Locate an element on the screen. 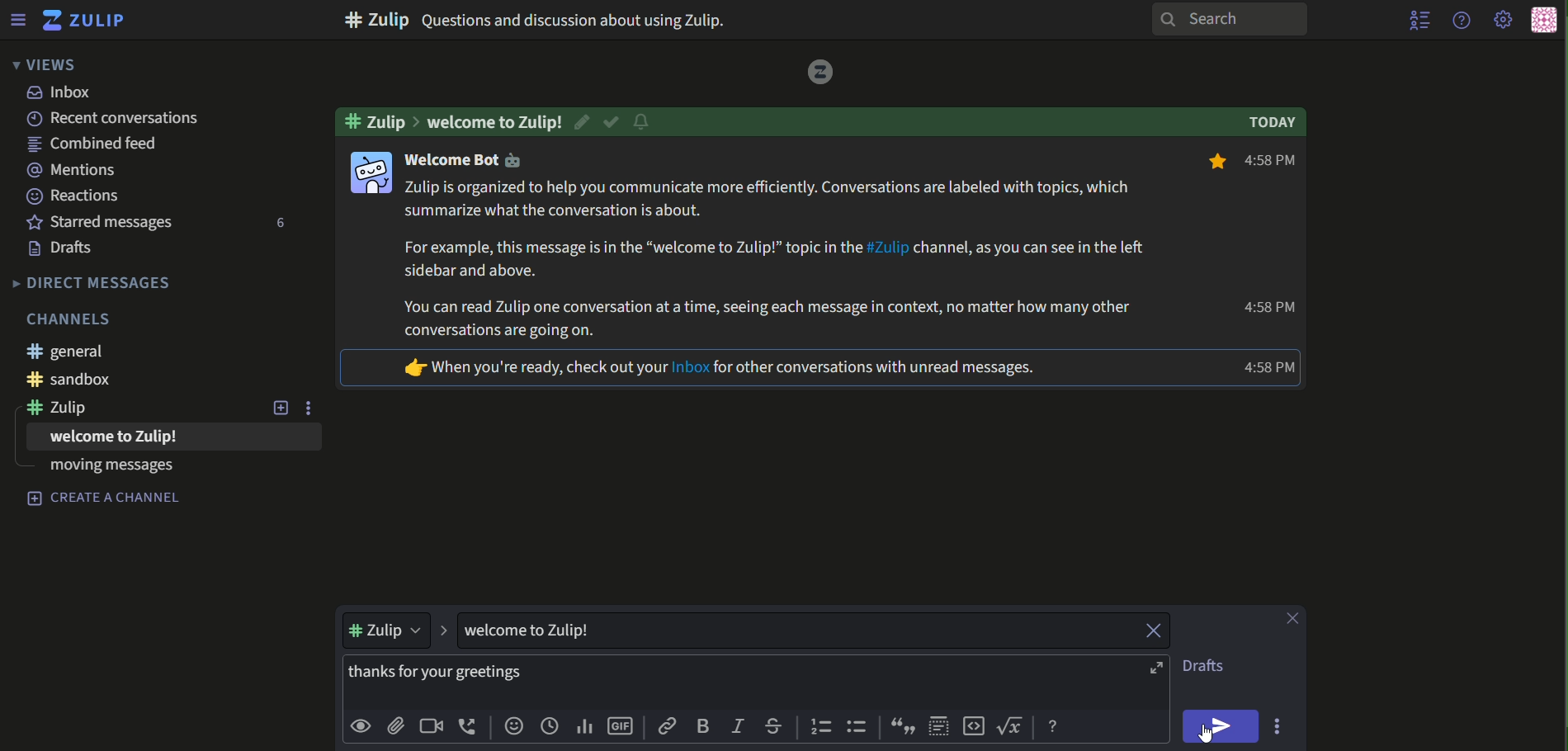 Image resolution: width=1568 pixels, height=751 pixels. text is located at coordinates (1211, 667).